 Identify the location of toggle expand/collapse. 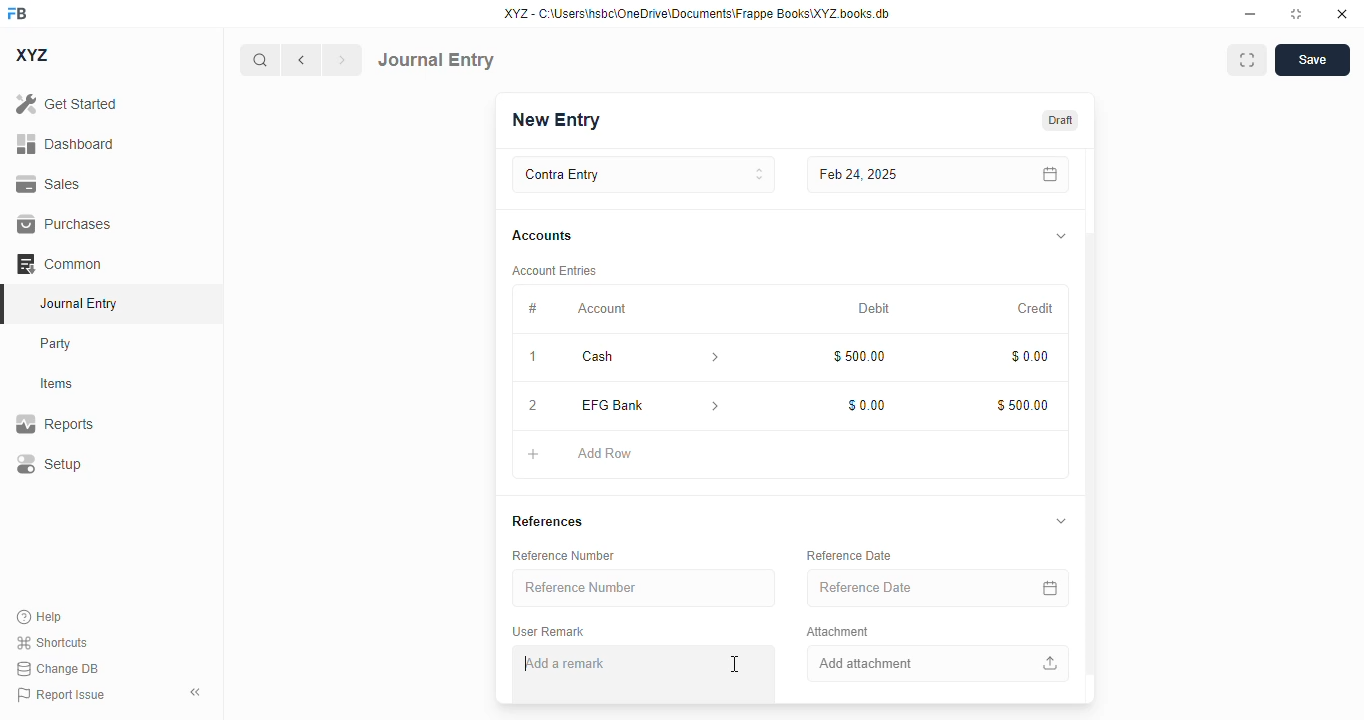
(1062, 522).